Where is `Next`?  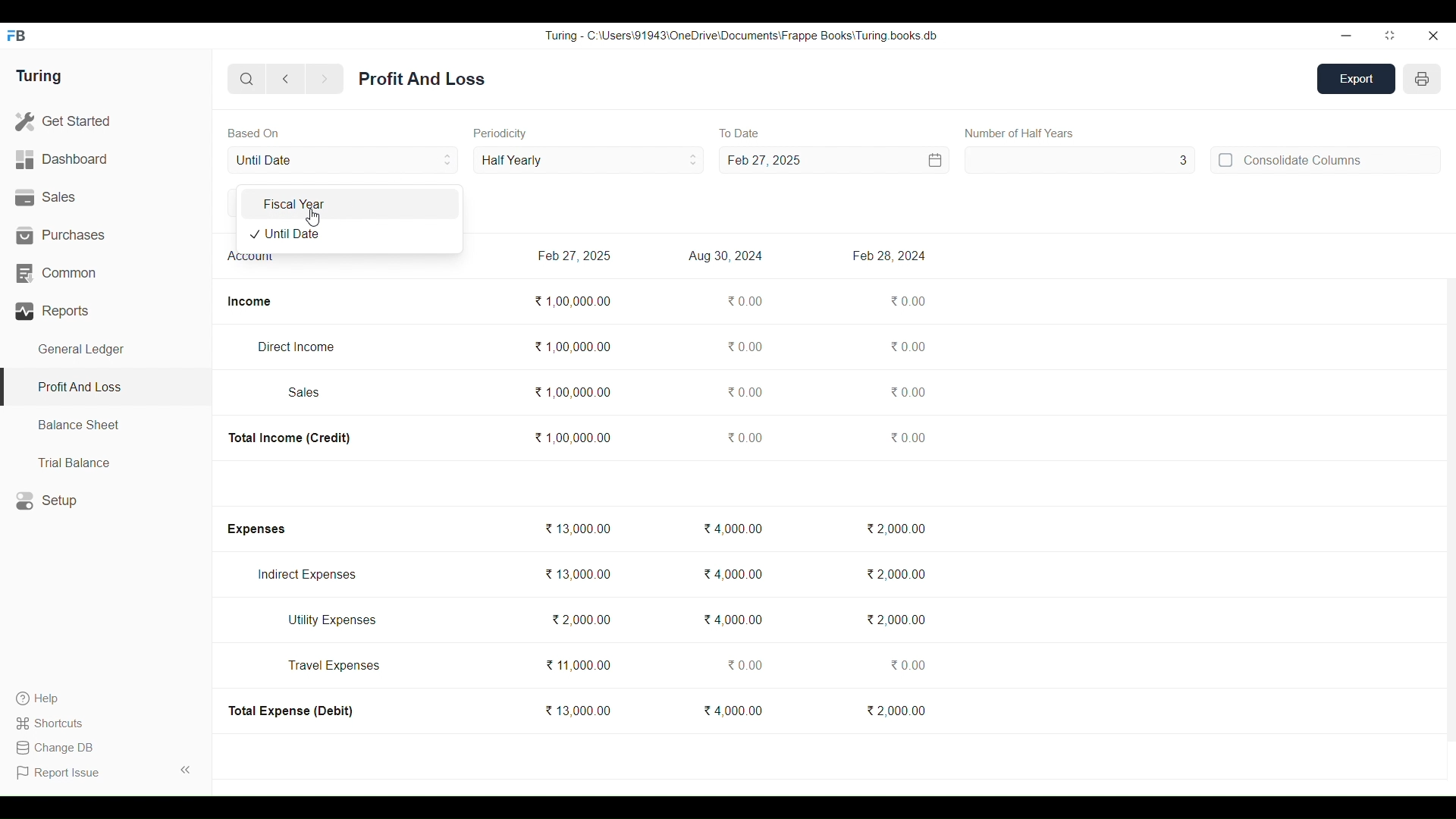 Next is located at coordinates (325, 80).